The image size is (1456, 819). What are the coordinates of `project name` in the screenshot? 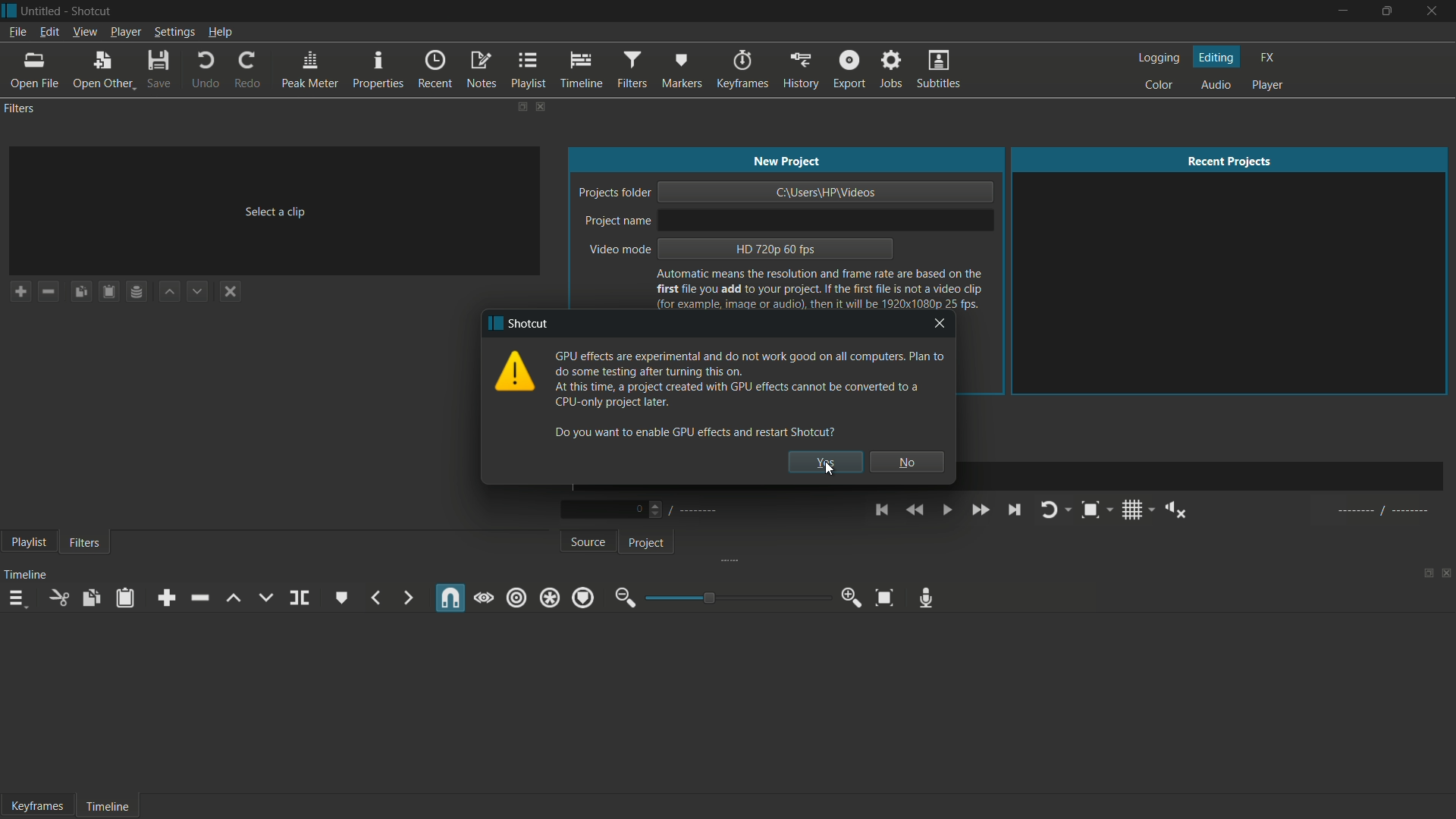 It's located at (44, 9).